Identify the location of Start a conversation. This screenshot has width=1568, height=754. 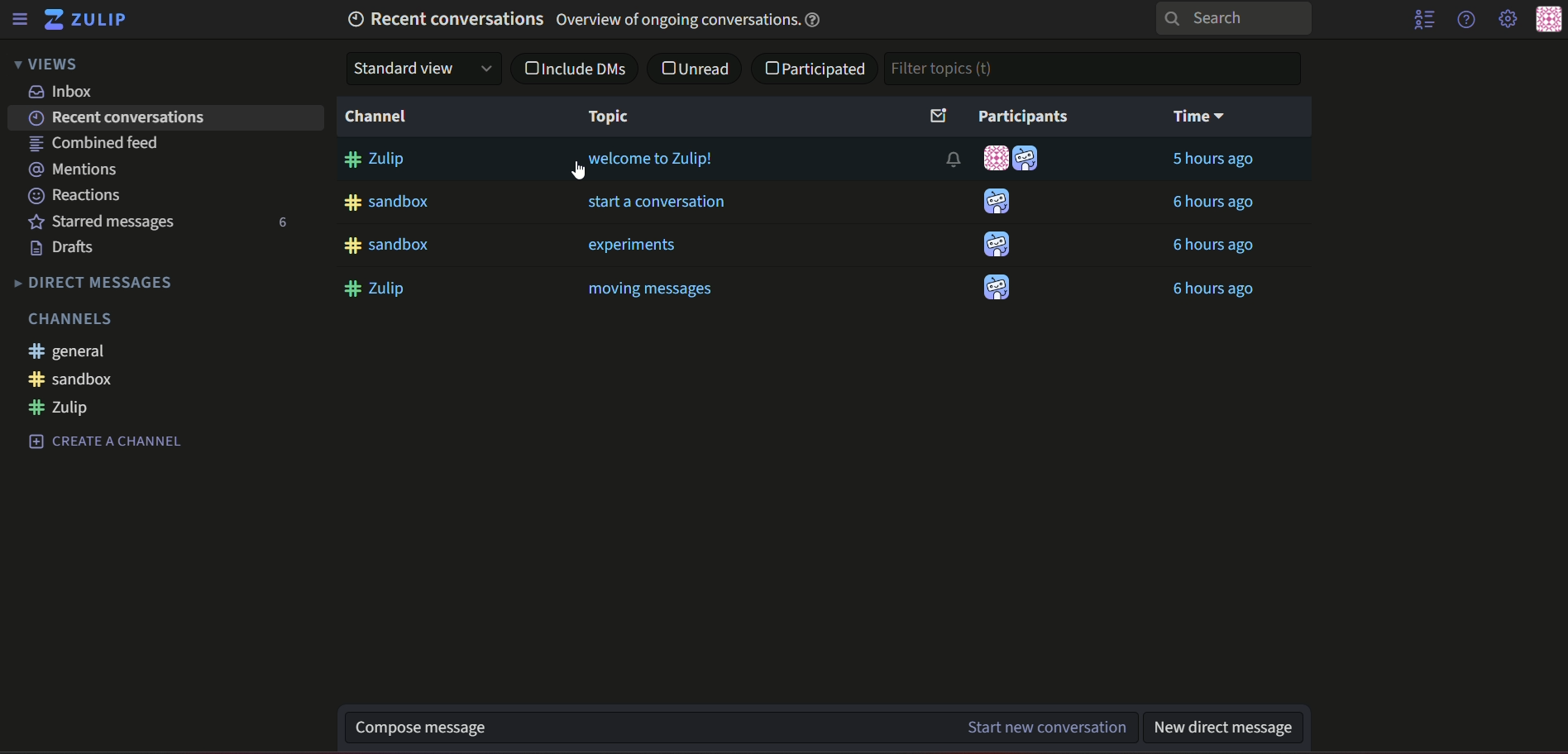
(662, 203).